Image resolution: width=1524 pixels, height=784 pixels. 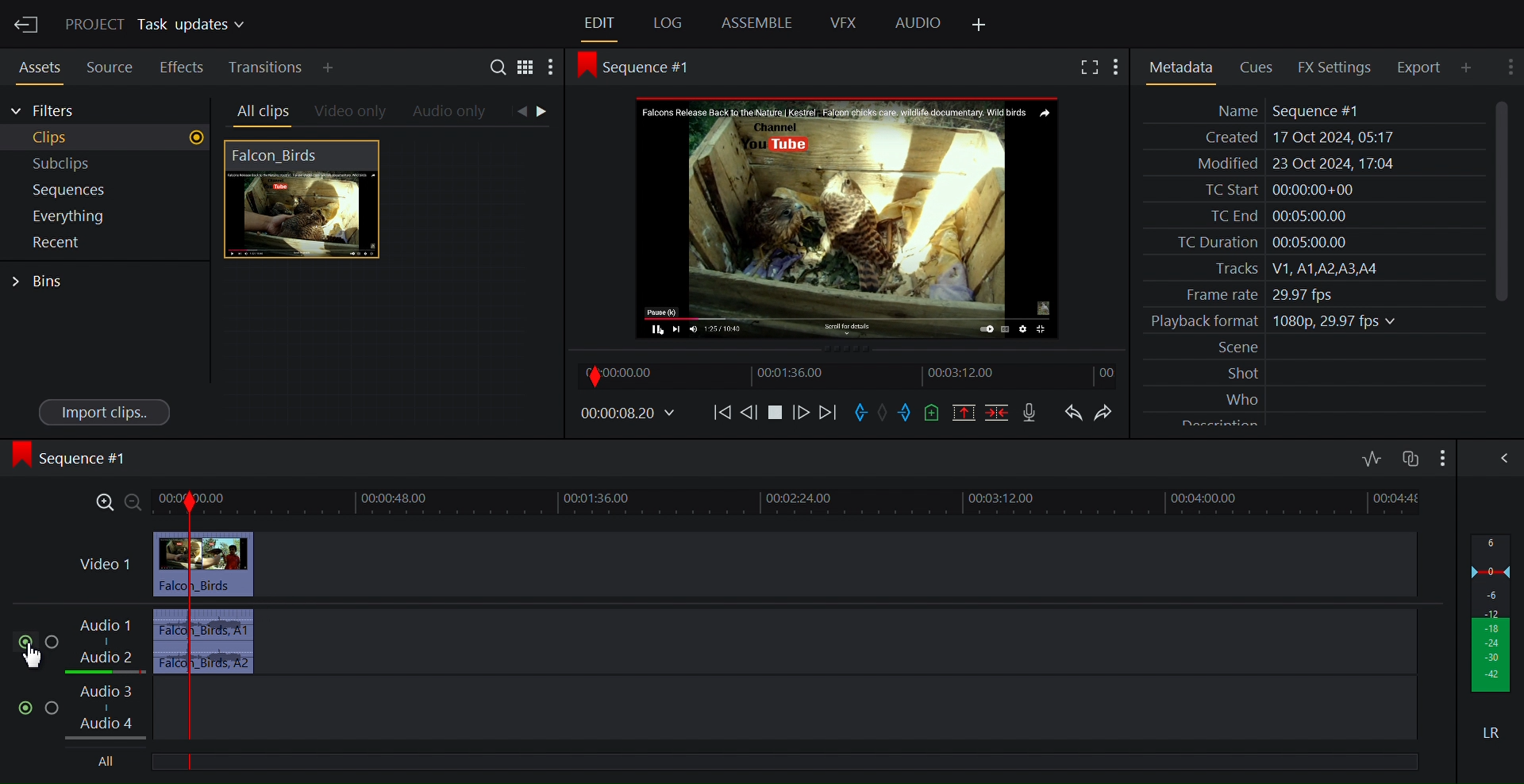 I want to click on All, so click(x=108, y=762).